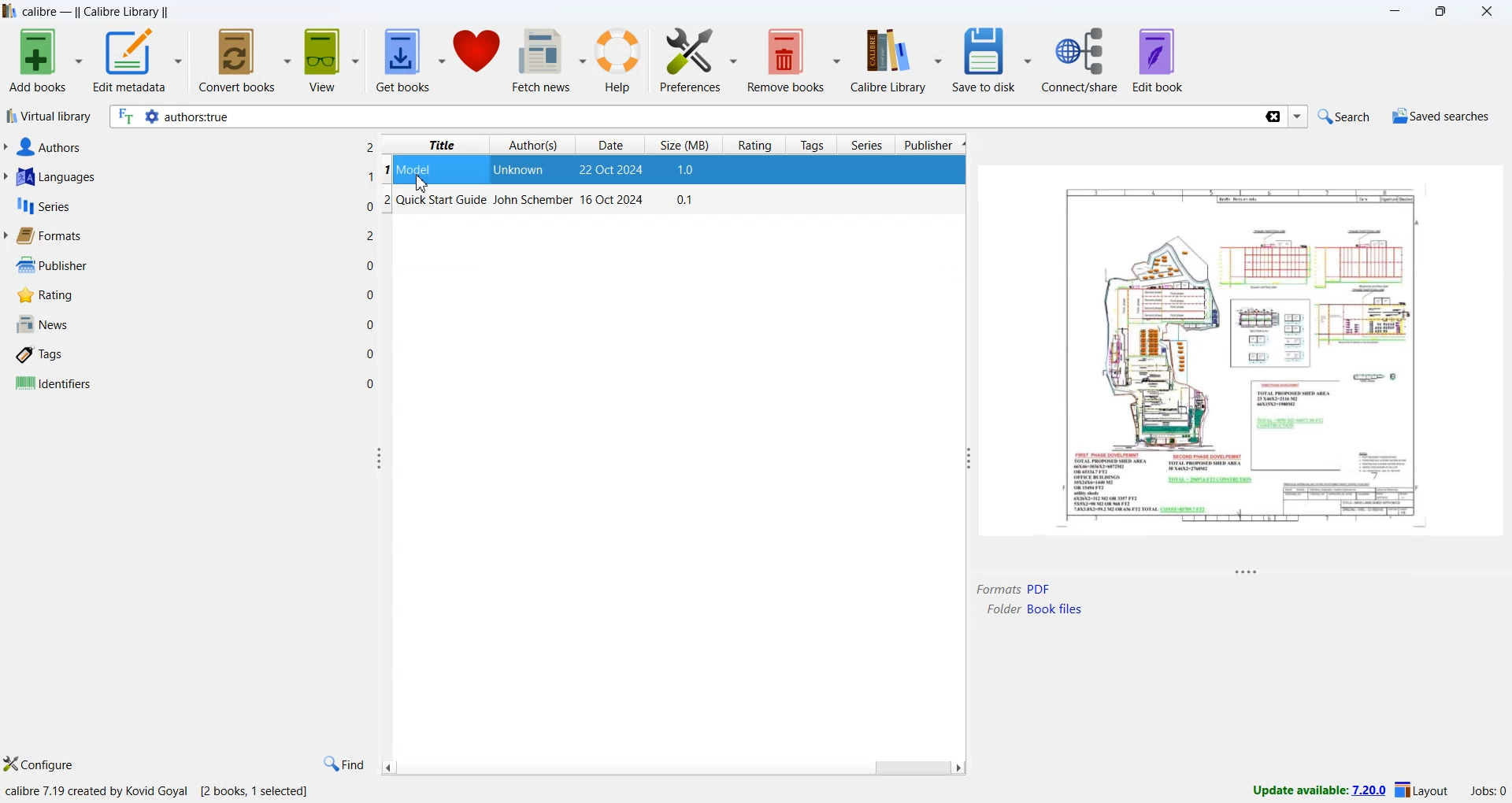  What do you see at coordinates (380, 458) in the screenshot?
I see `customize width` at bounding box center [380, 458].